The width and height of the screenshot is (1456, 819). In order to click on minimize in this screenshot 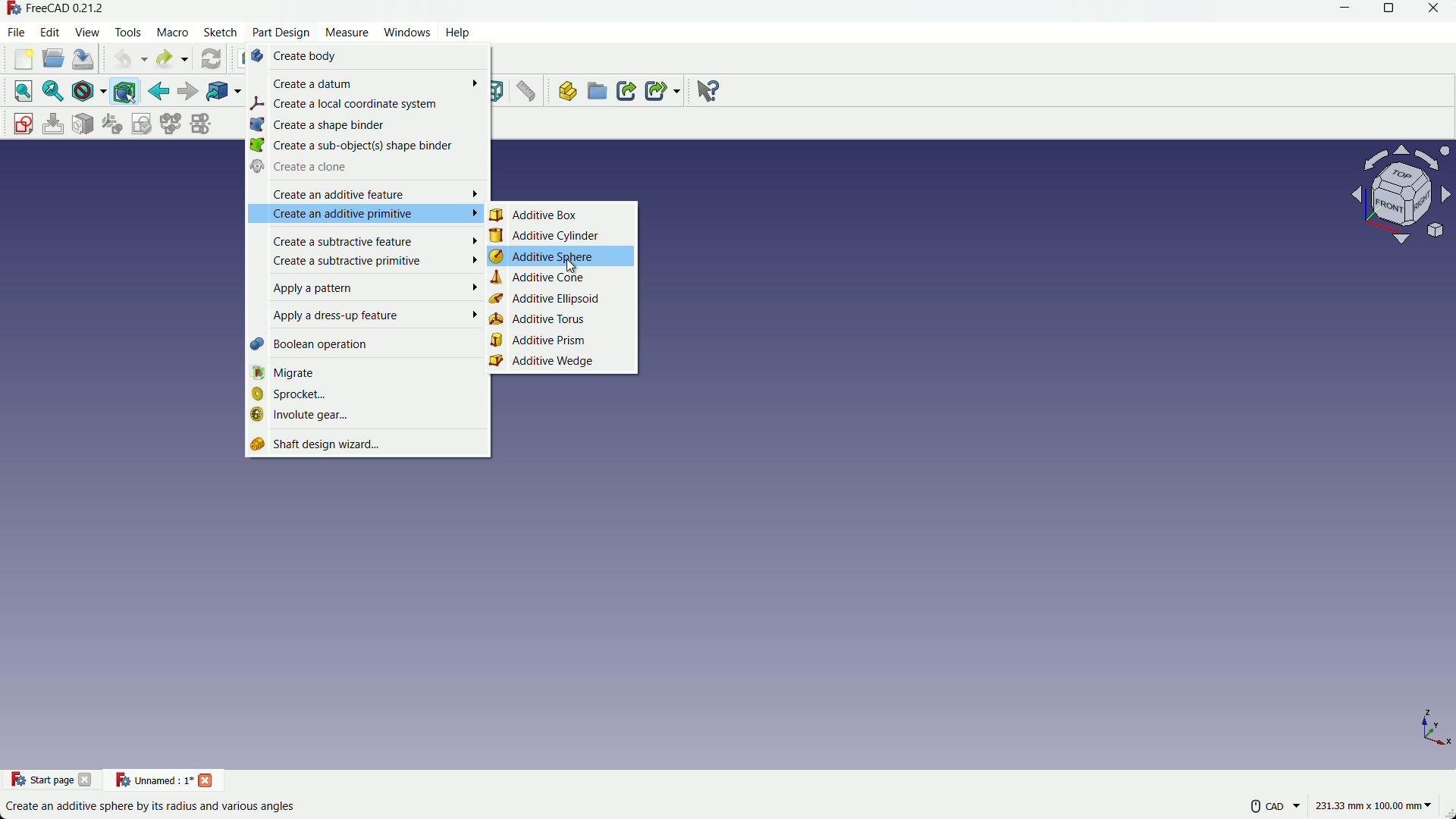, I will do `click(1344, 8)`.